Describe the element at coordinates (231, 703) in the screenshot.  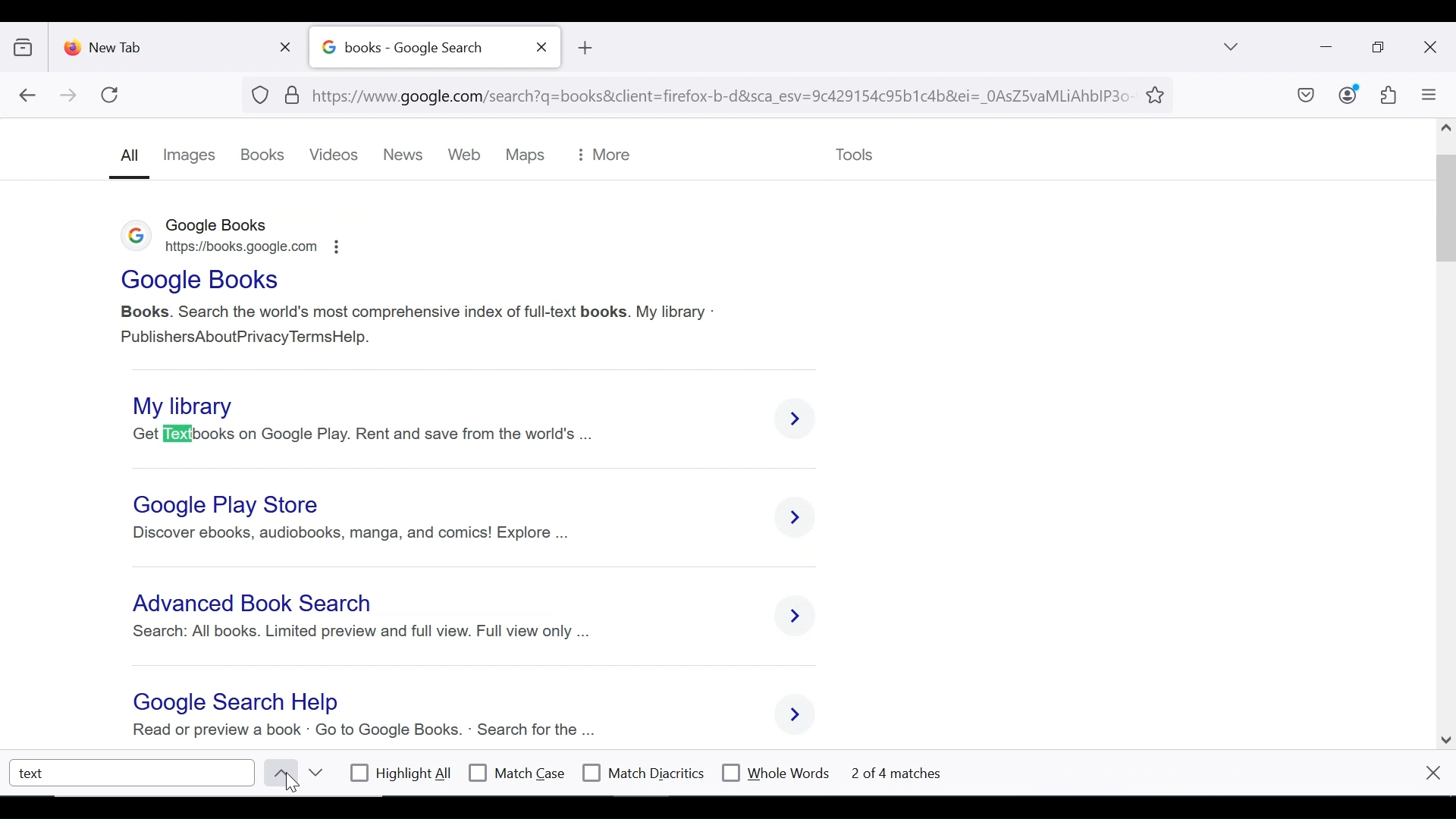
I see `google search help` at that location.